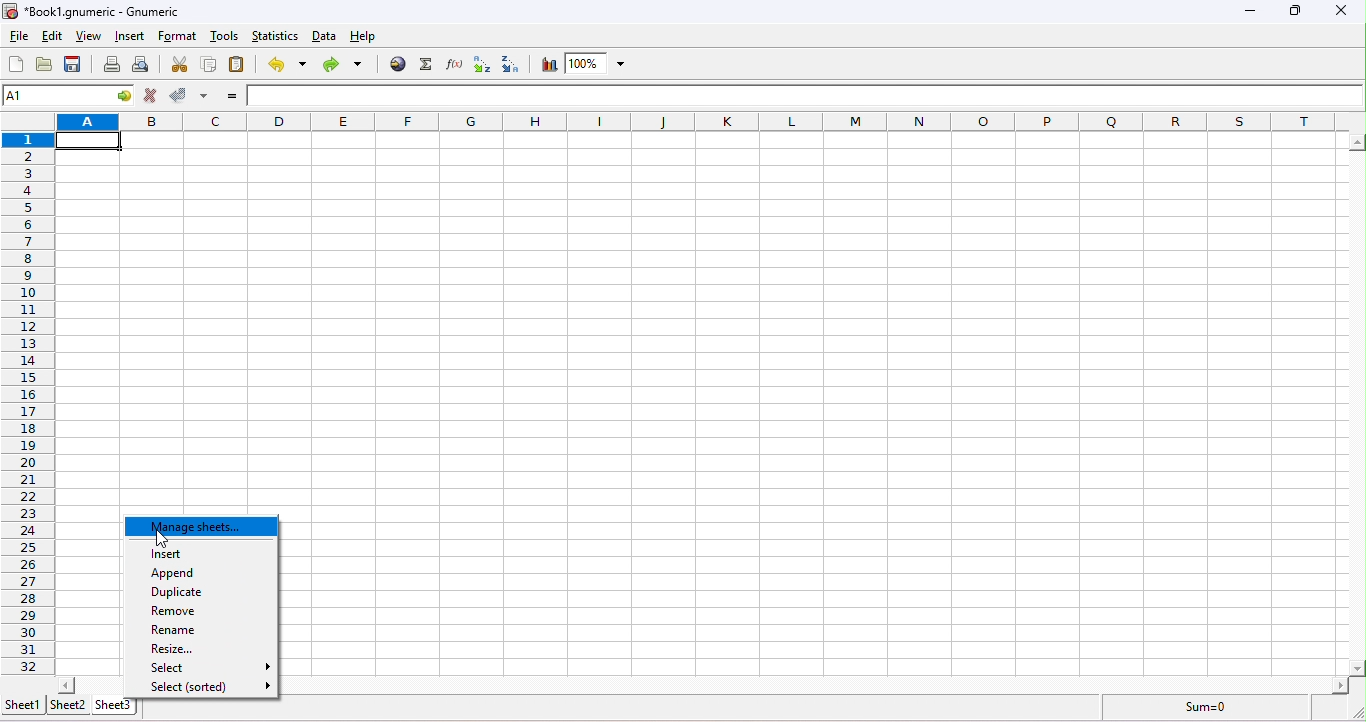 This screenshot has width=1366, height=722. What do you see at coordinates (112, 66) in the screenshot?
I see `print` at bounding box center [112, 66].